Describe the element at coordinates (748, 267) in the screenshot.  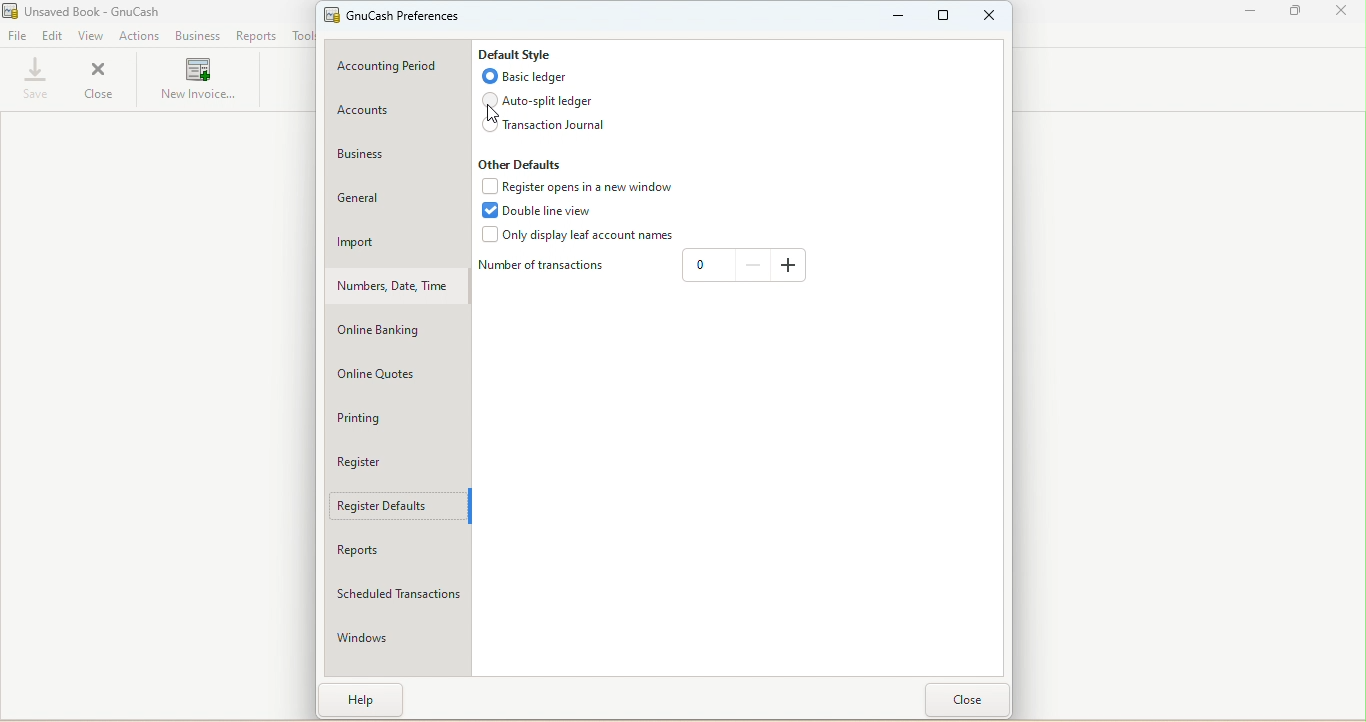
I see `Decrease` at that location.